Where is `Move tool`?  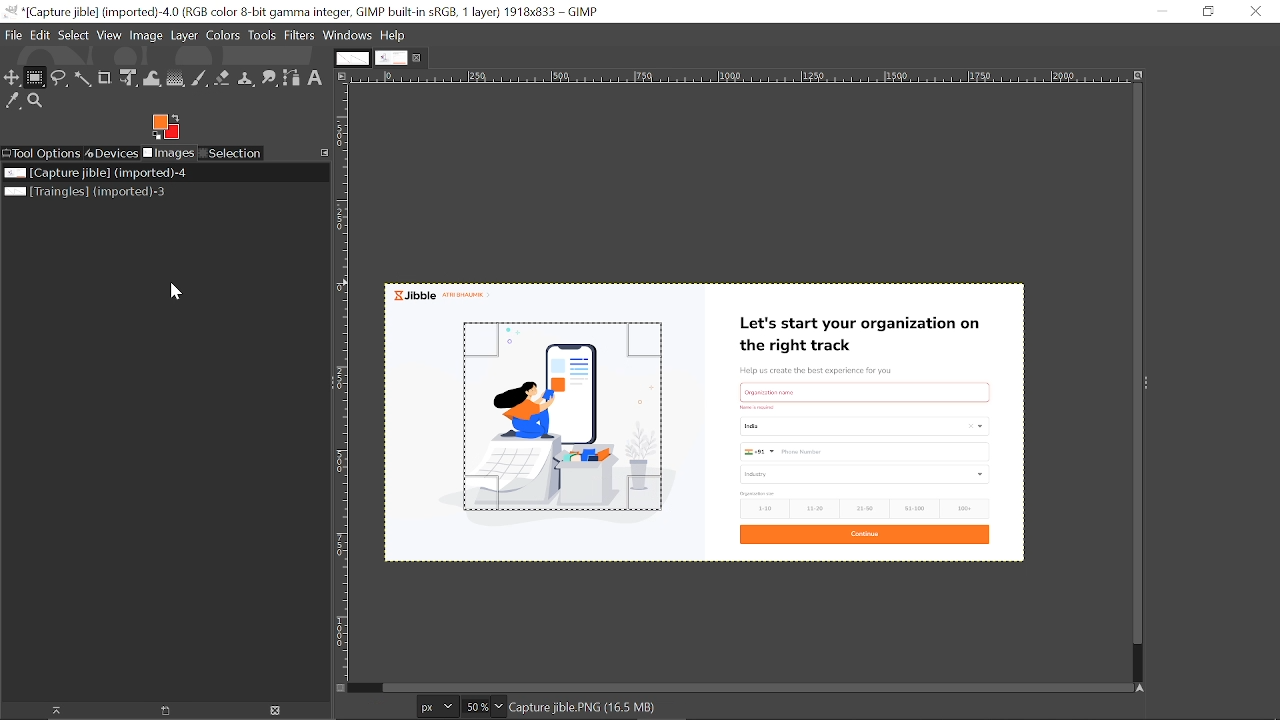 Move tool is located at coordinates (13, 78).